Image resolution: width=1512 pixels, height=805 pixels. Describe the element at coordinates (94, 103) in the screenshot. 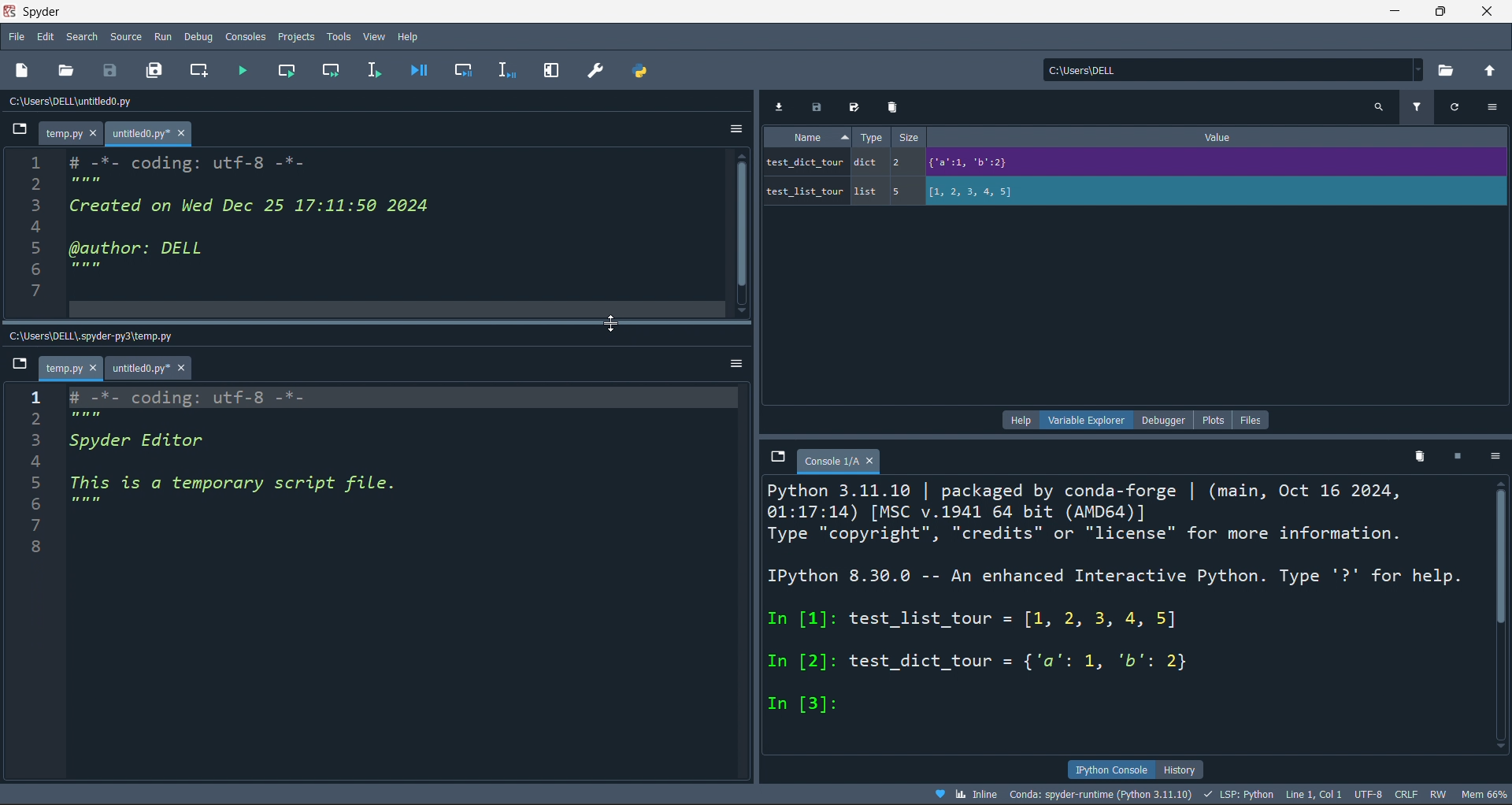

I see `C:\User|DELL\utitled0.py` at that location.